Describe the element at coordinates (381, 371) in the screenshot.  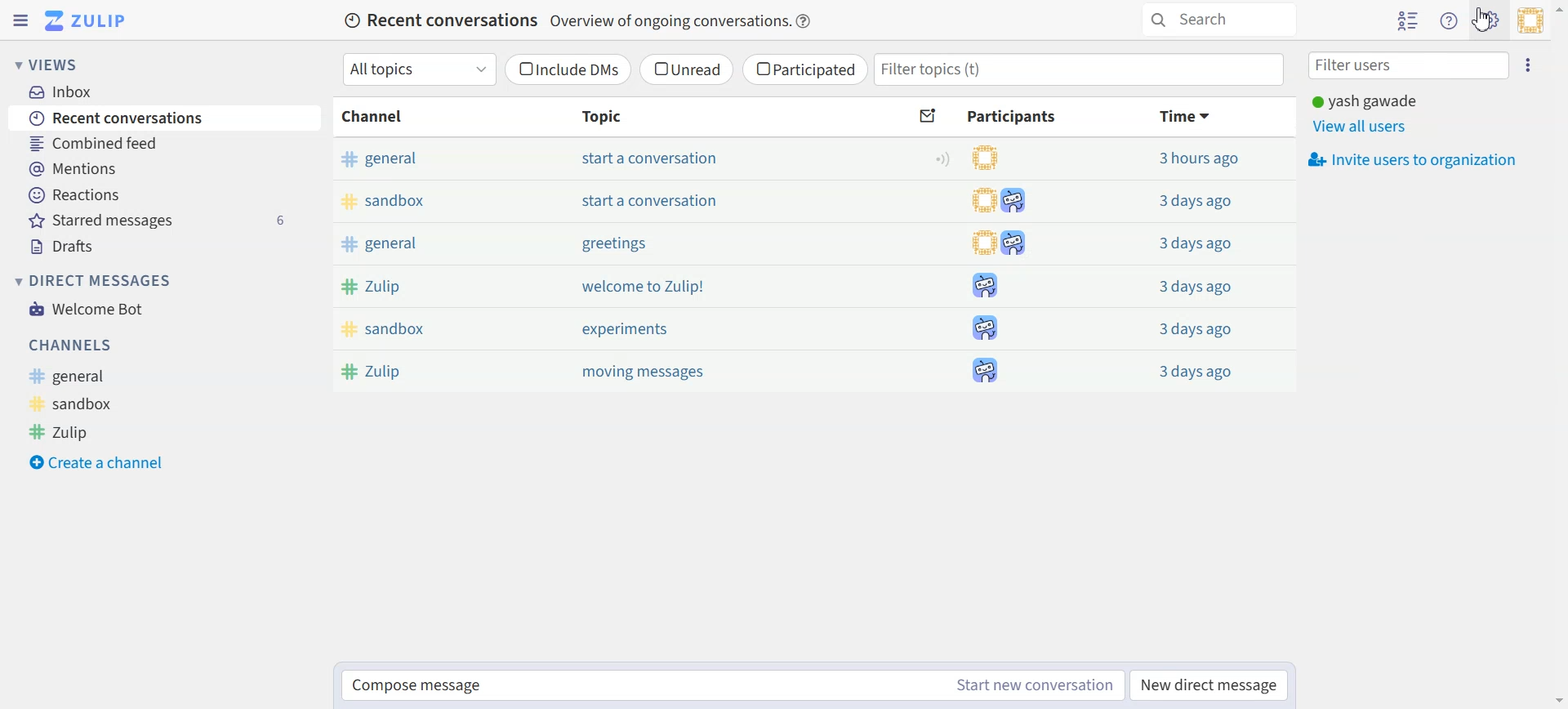
I see `Zulip` at that location.